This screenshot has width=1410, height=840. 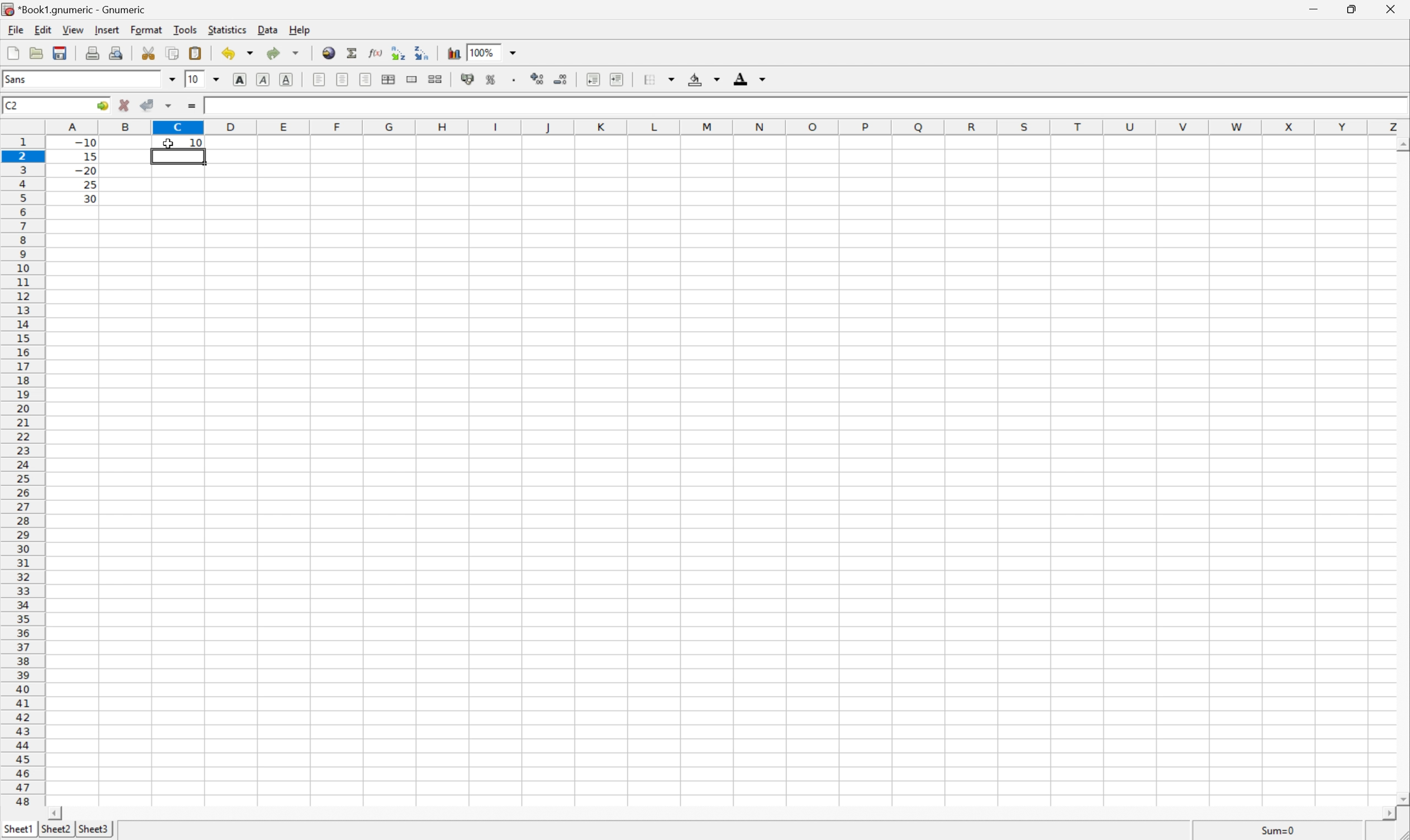 What do you see at coordinates (1349, 10) in the screenshot?
I see `Restore down` at bounding box center [1349, 10].